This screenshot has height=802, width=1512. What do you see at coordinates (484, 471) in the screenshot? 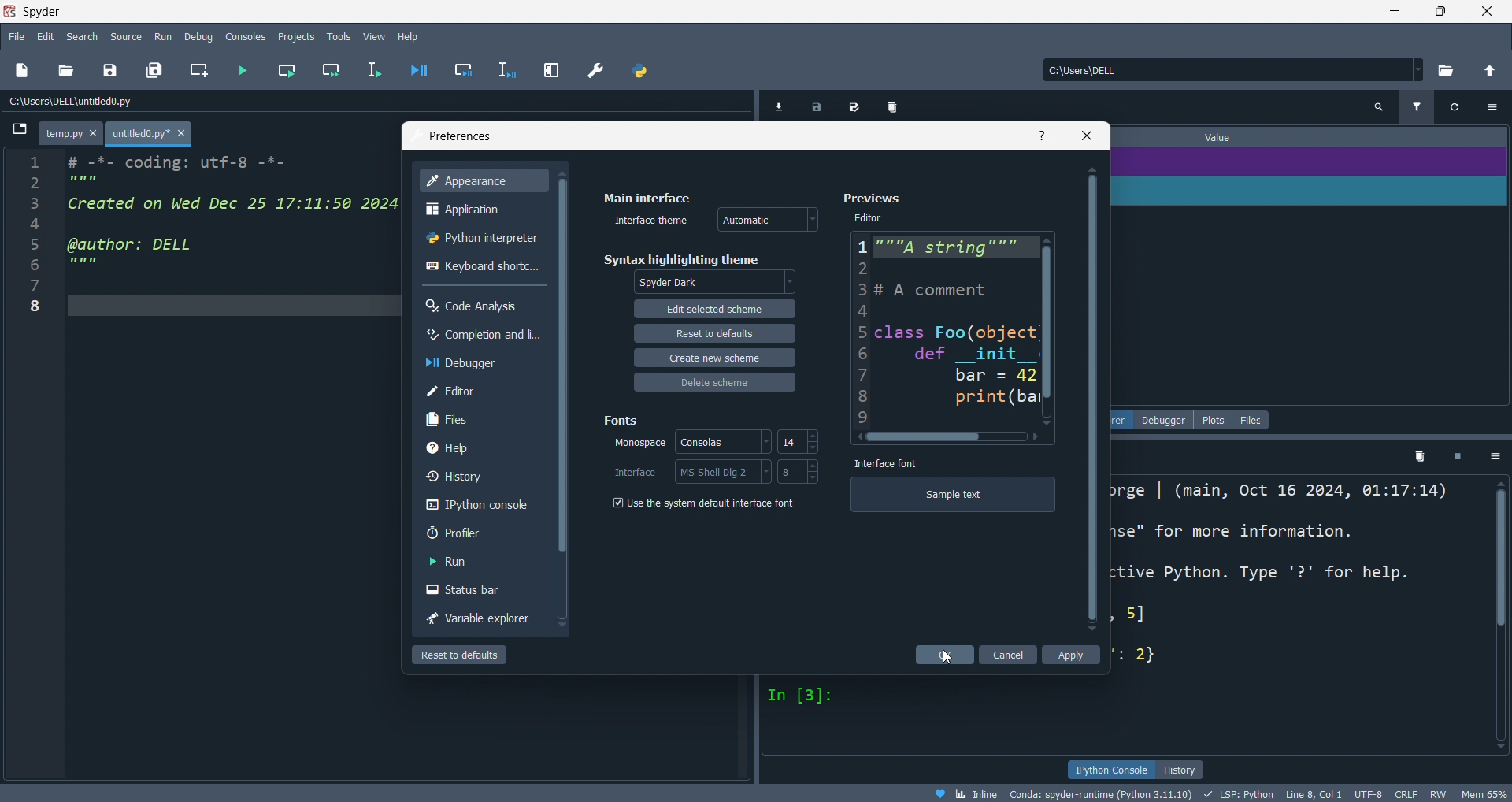
I see `history` at bounding box center [484, 471].